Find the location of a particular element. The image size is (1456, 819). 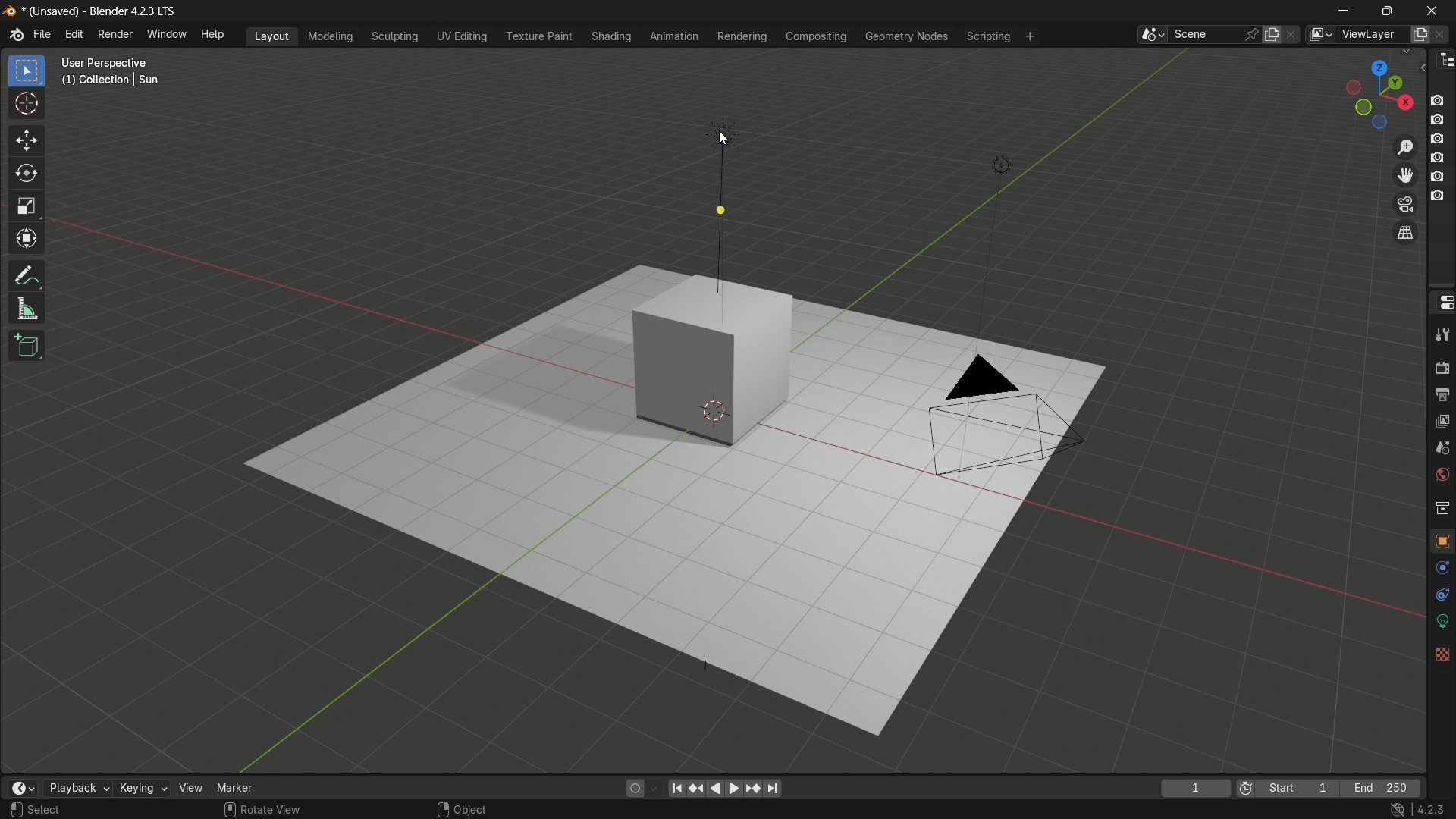

layer 1 is located at coordinates (1438, 100).